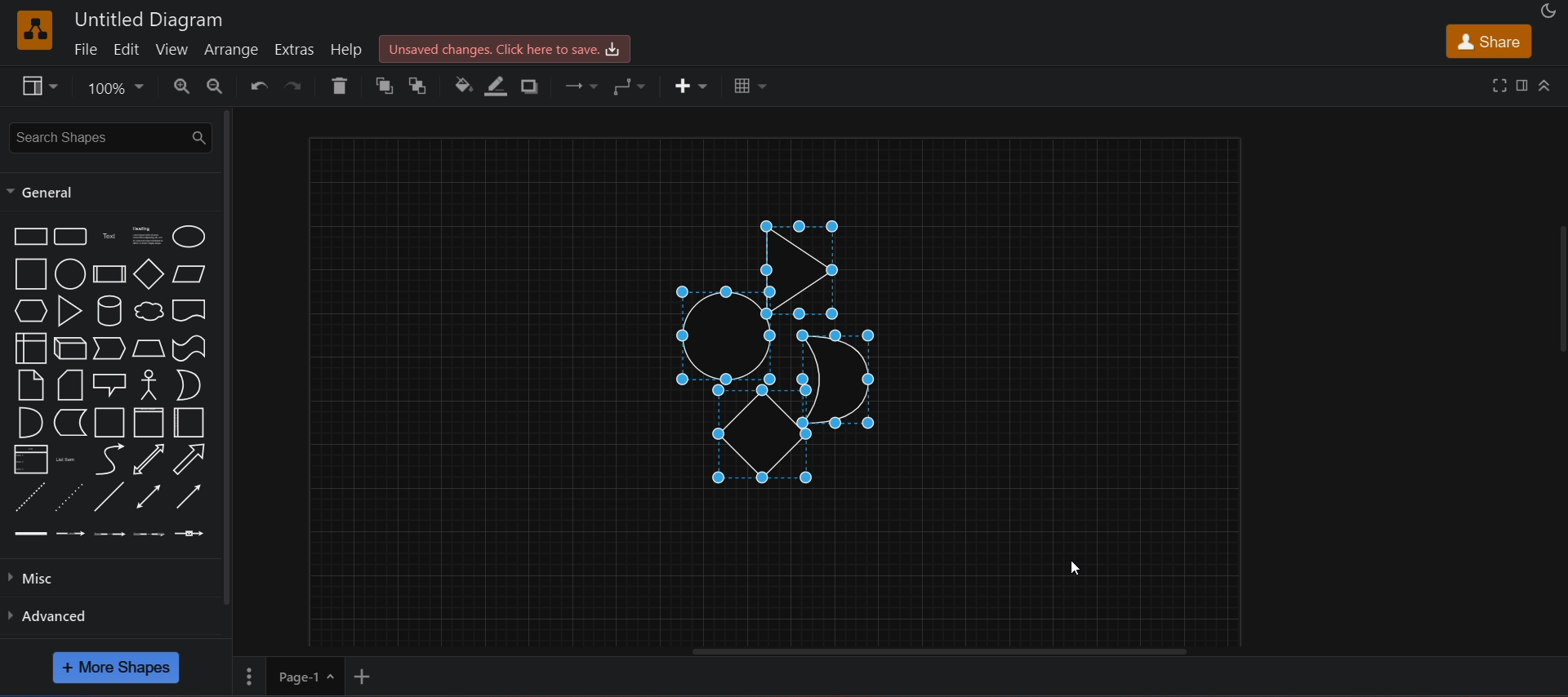 The width and height of the screenshot is (1568, 697). What do you see at coordinates (68, 385) in the screenshot?
I see `card` at bounding box center [68, 385].